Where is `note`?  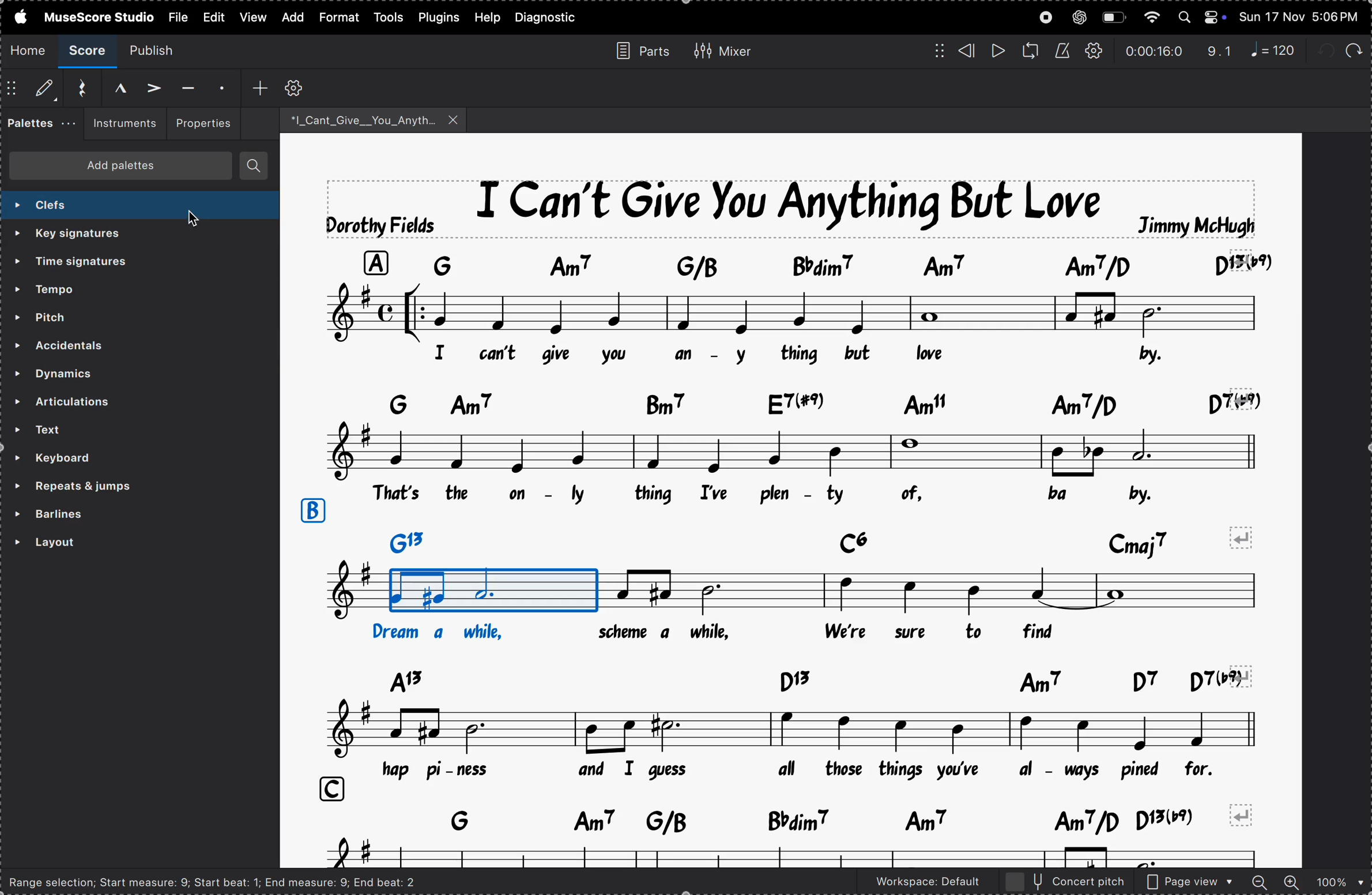
note is located at coordinates (1278, 50).